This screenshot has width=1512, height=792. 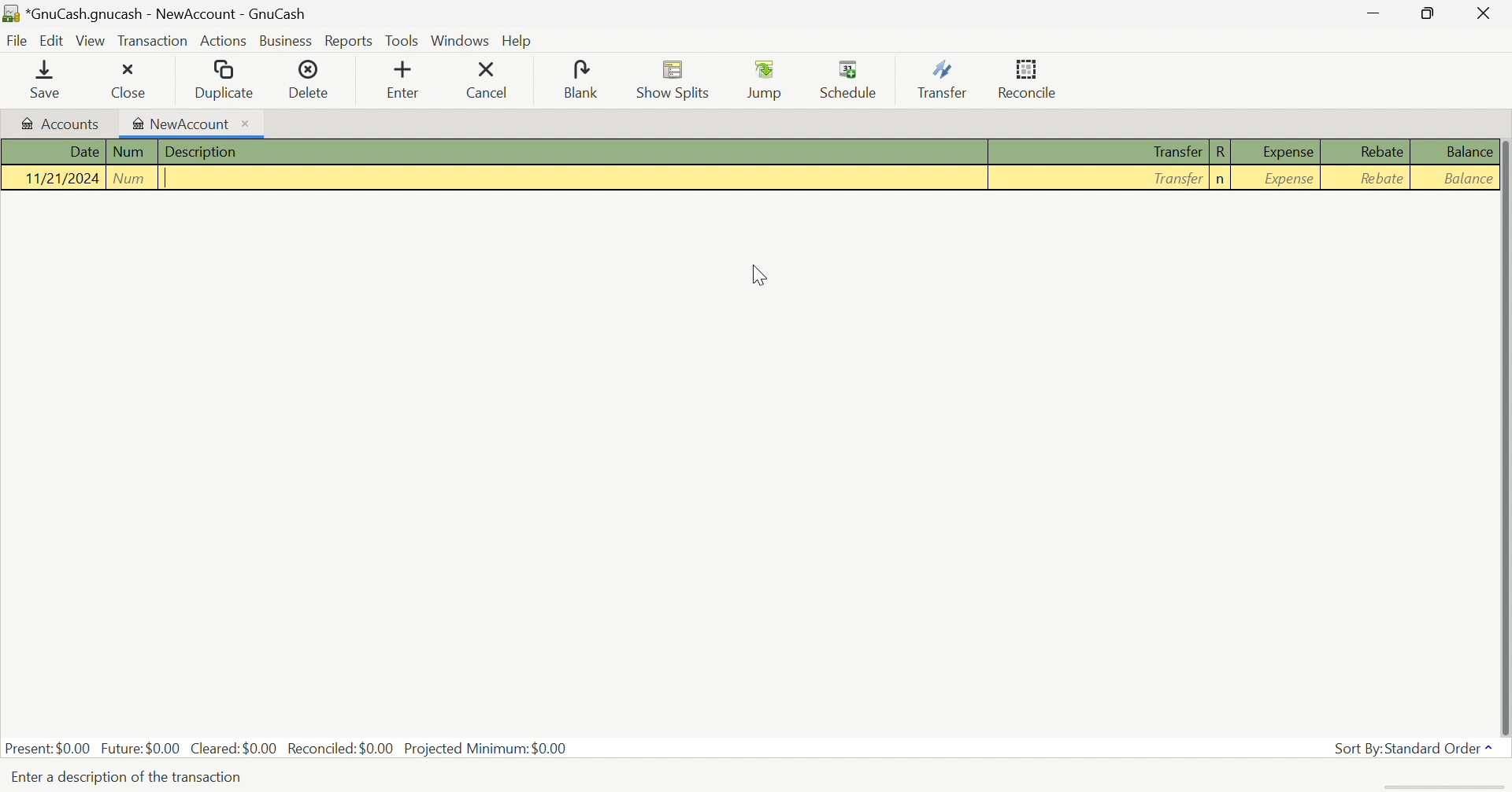 I want to click on Duplicate, so click(x=224, y=81).